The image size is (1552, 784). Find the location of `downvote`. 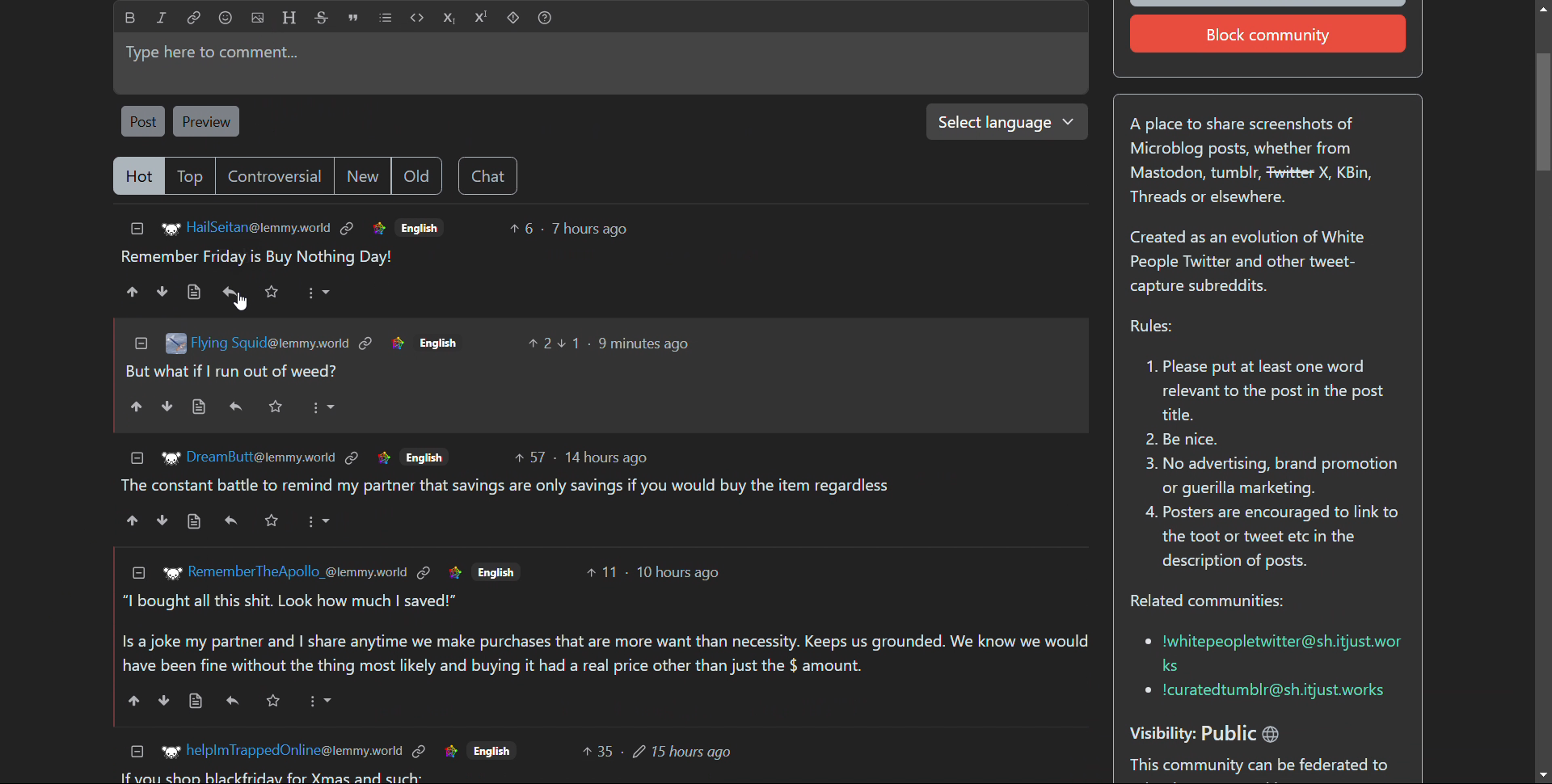

downvote is located at coordinates (163, 291).